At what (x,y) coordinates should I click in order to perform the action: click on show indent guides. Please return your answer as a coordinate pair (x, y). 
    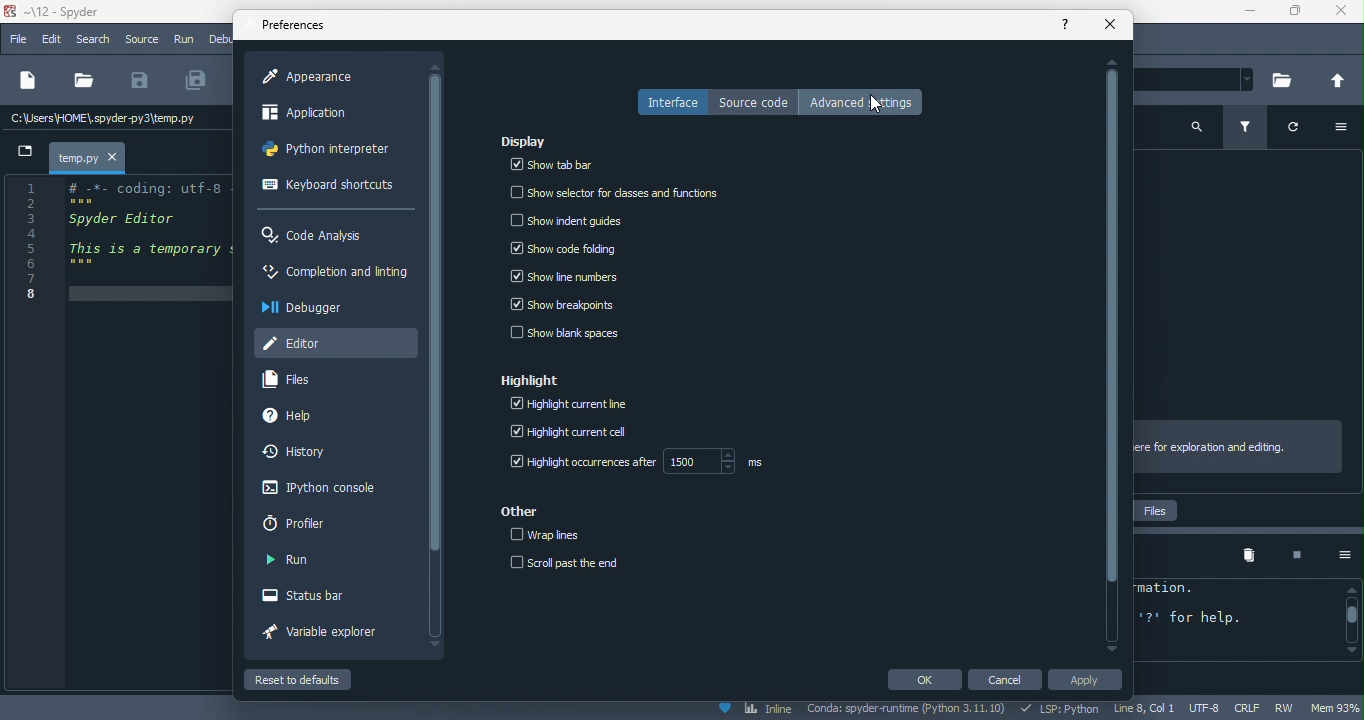
    Looking at the image, I should click on (567, 221).